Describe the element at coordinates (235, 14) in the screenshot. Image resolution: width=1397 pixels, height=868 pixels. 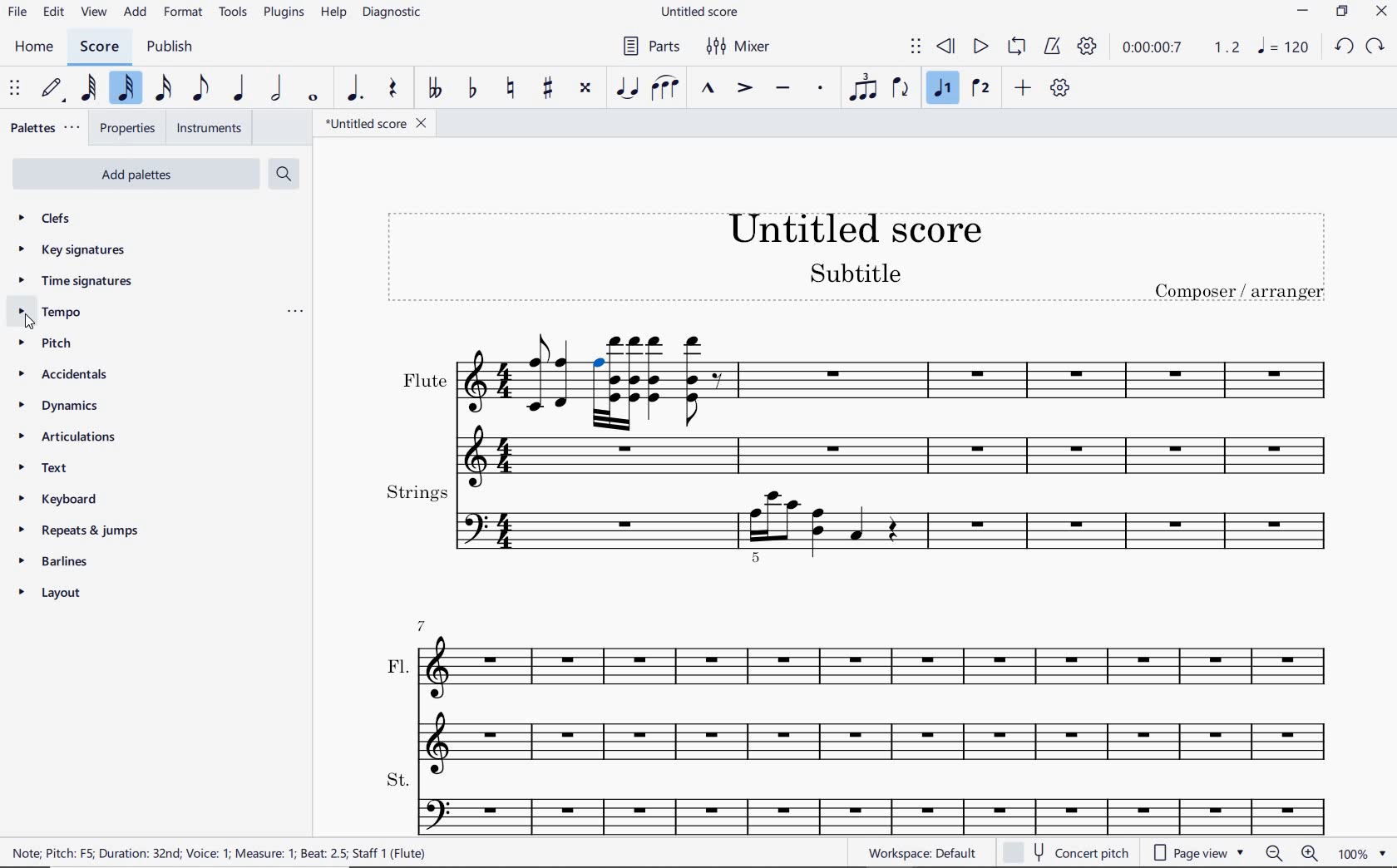
I see `tools` at that location.